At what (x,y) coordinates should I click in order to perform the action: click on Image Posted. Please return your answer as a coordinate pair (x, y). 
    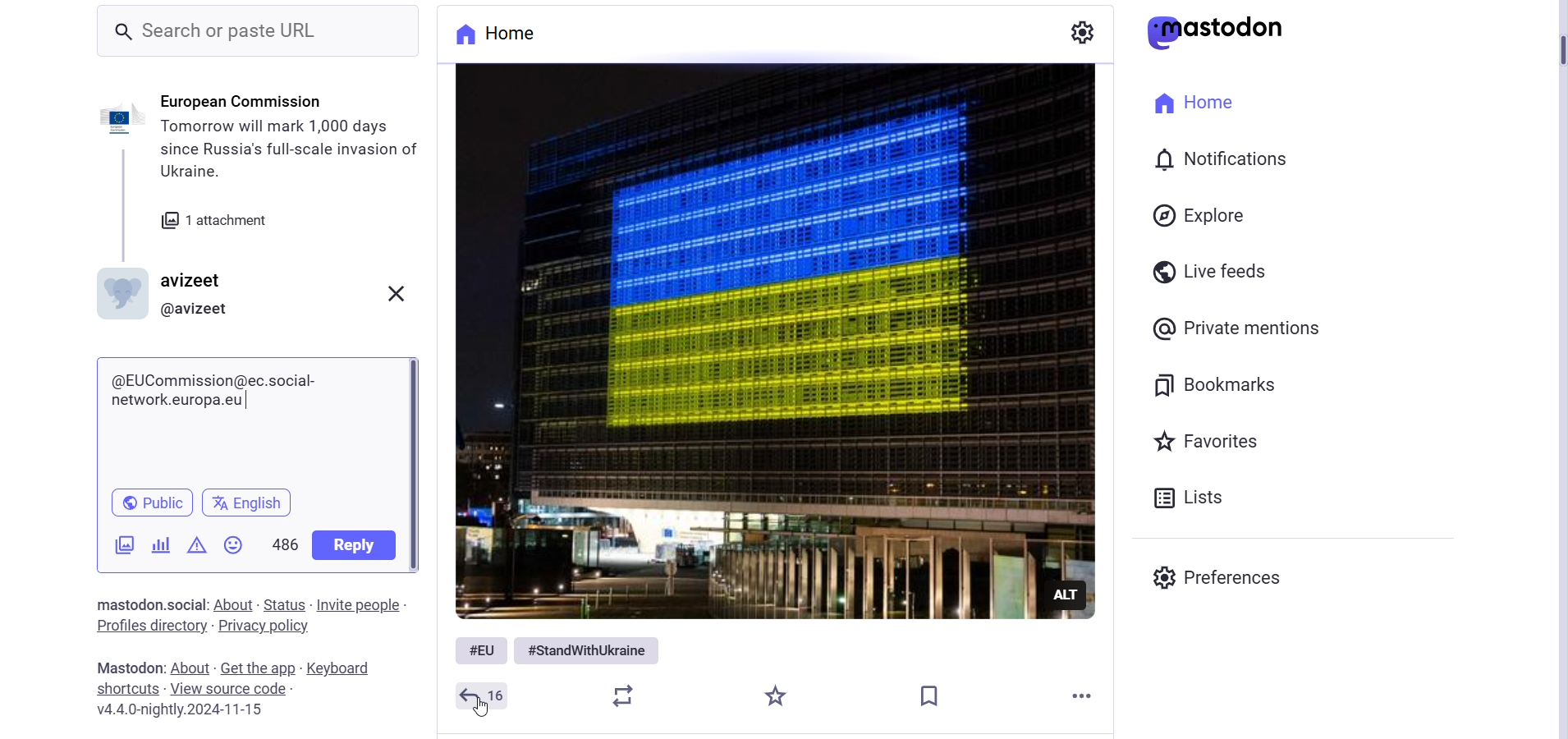
    Looking at the image, I should click on (766, 342).